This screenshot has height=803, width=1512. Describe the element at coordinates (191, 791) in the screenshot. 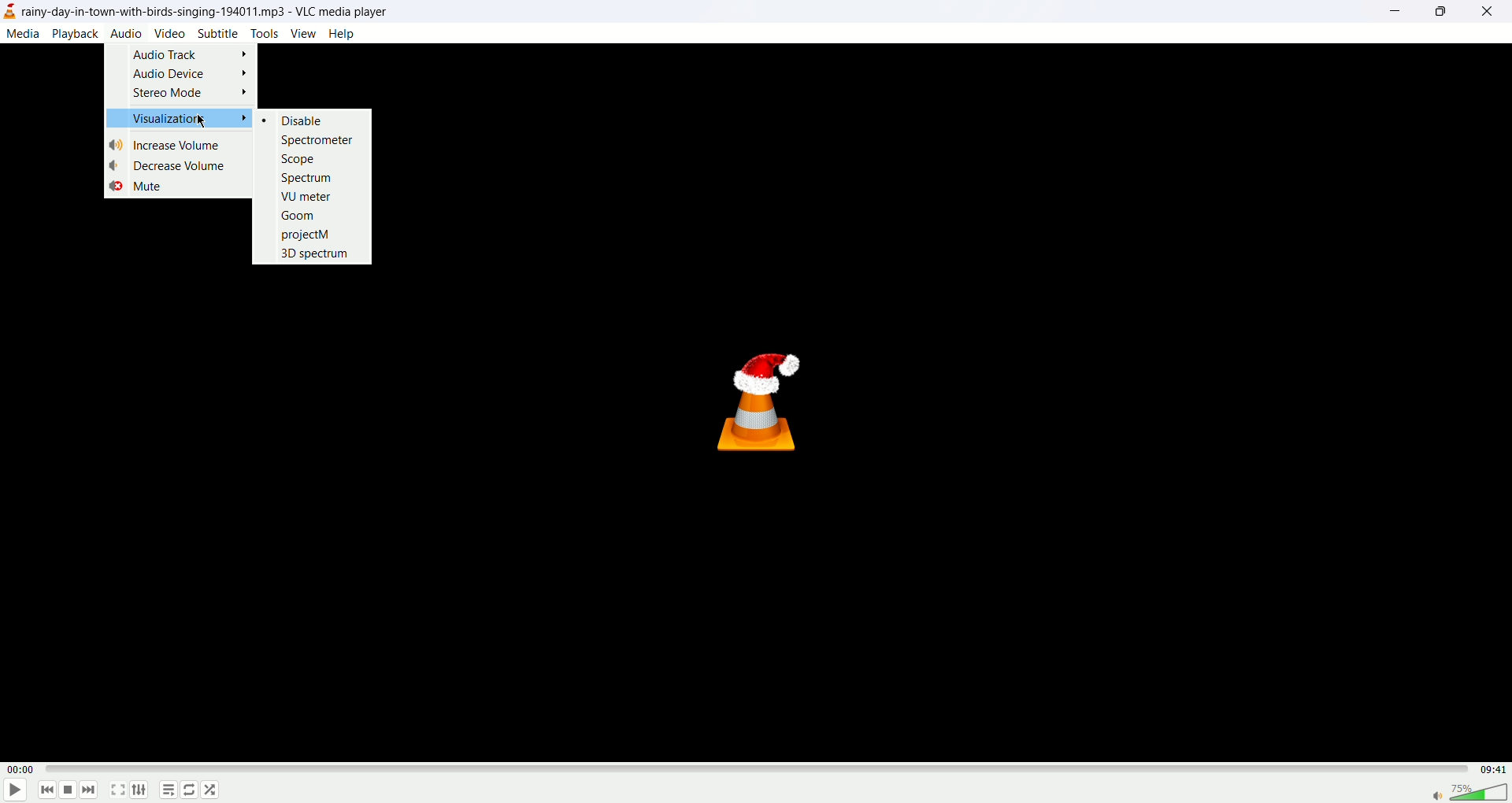

I see `loop` at that location.